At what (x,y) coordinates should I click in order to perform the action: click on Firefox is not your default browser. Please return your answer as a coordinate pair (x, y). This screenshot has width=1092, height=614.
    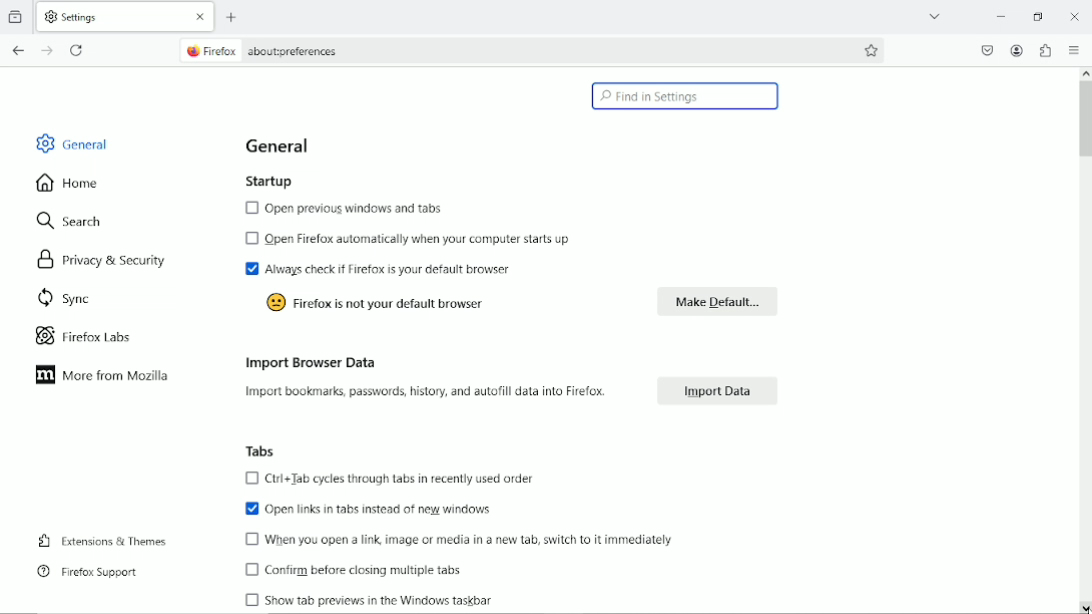
    Looking at the image, I should click on (374, 306).